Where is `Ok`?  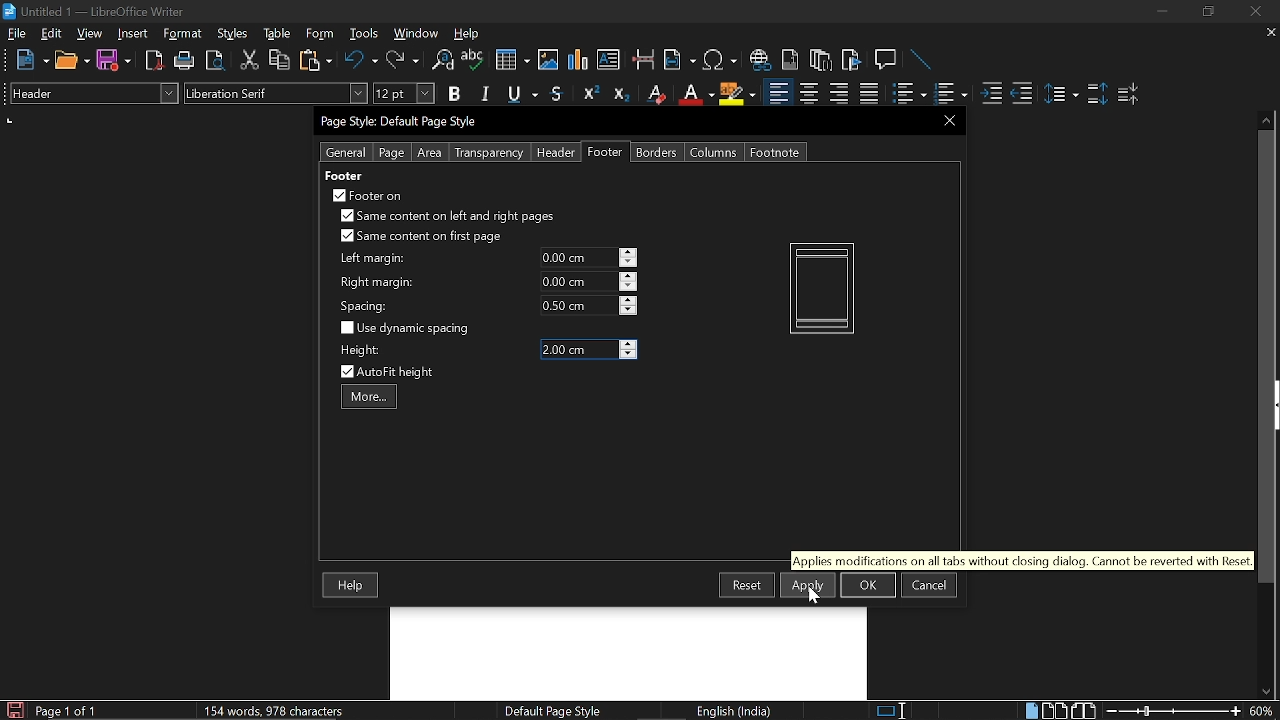 Ok is located at coordinates (868, 585).